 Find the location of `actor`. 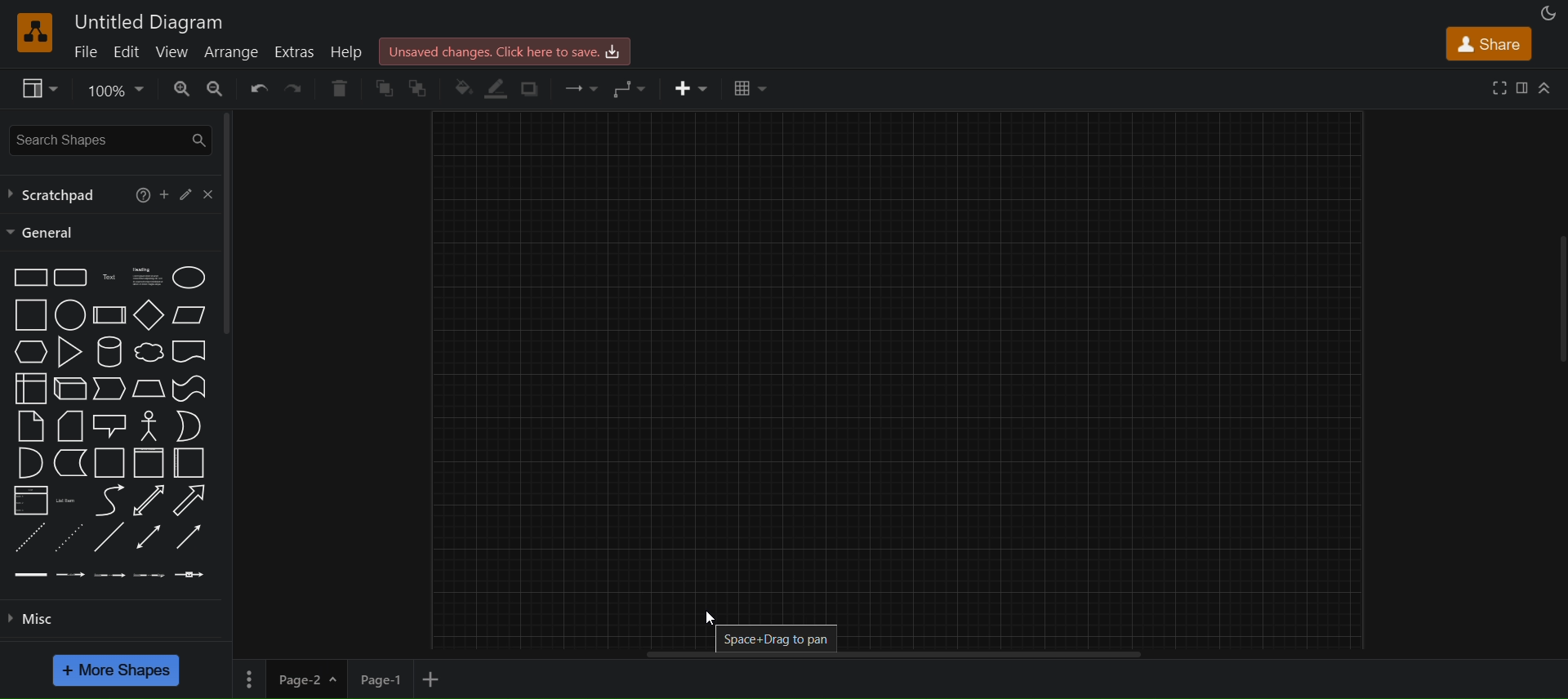

actor is located at coordinates (149, 425).